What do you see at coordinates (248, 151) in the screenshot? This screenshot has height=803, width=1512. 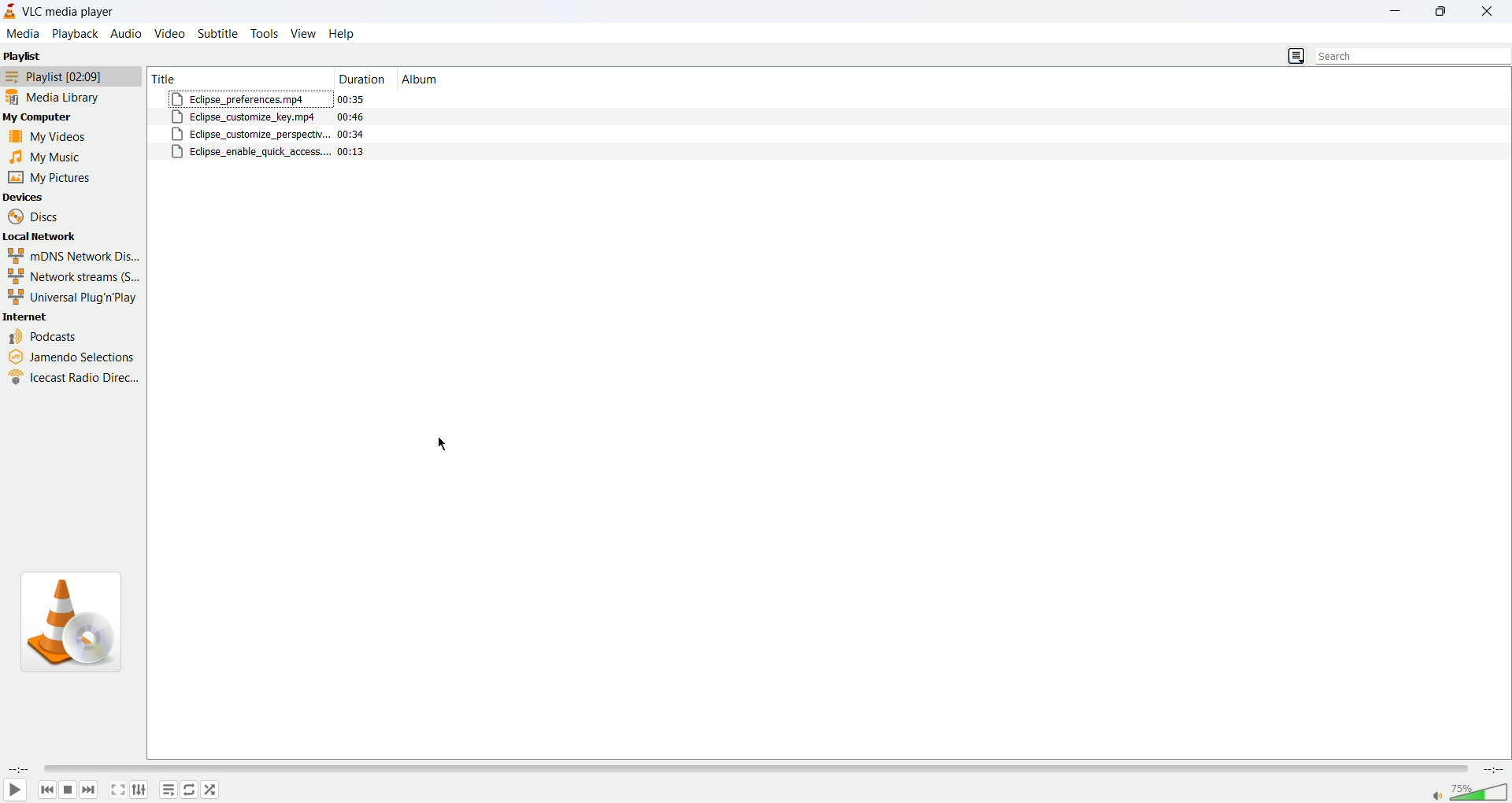 I see `eclipse_enable_quick_access` at bounding box center [248, 151].